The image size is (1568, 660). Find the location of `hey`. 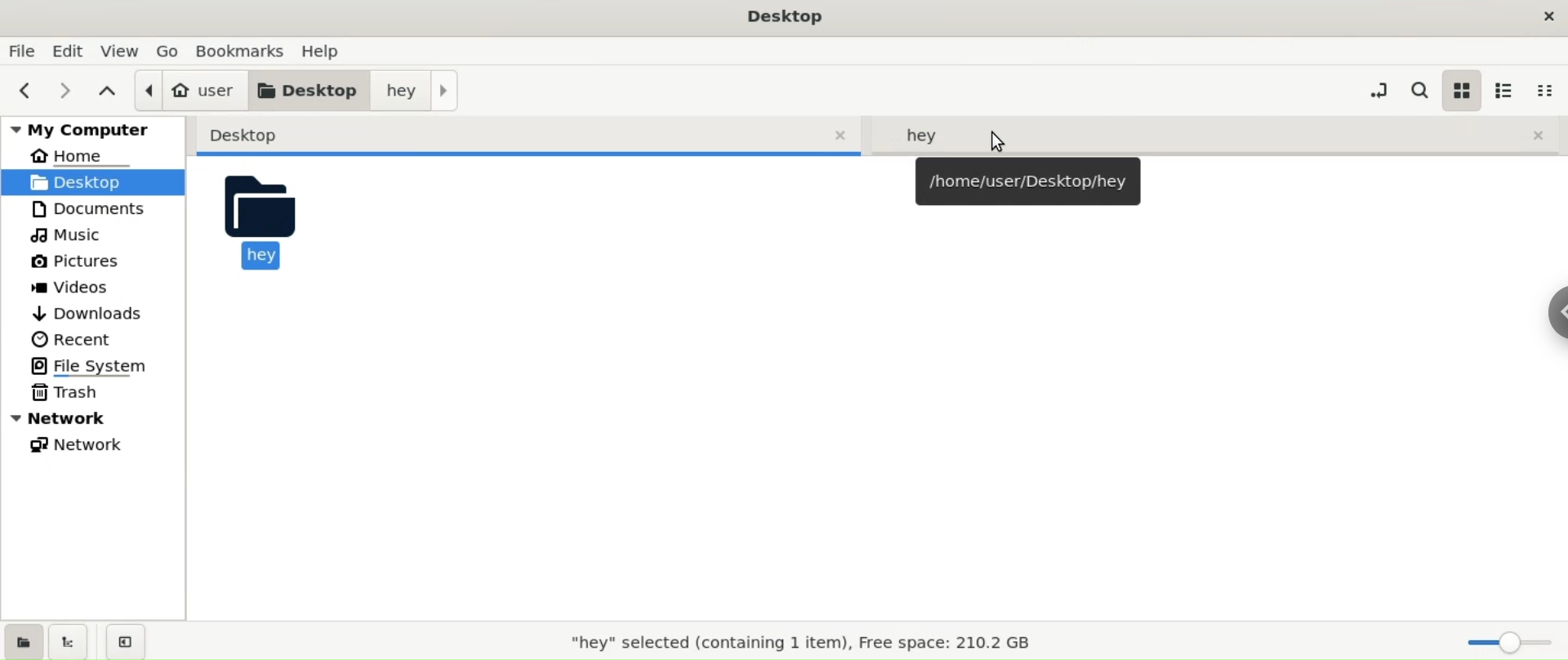

hey is located at coordinates (417, 89).